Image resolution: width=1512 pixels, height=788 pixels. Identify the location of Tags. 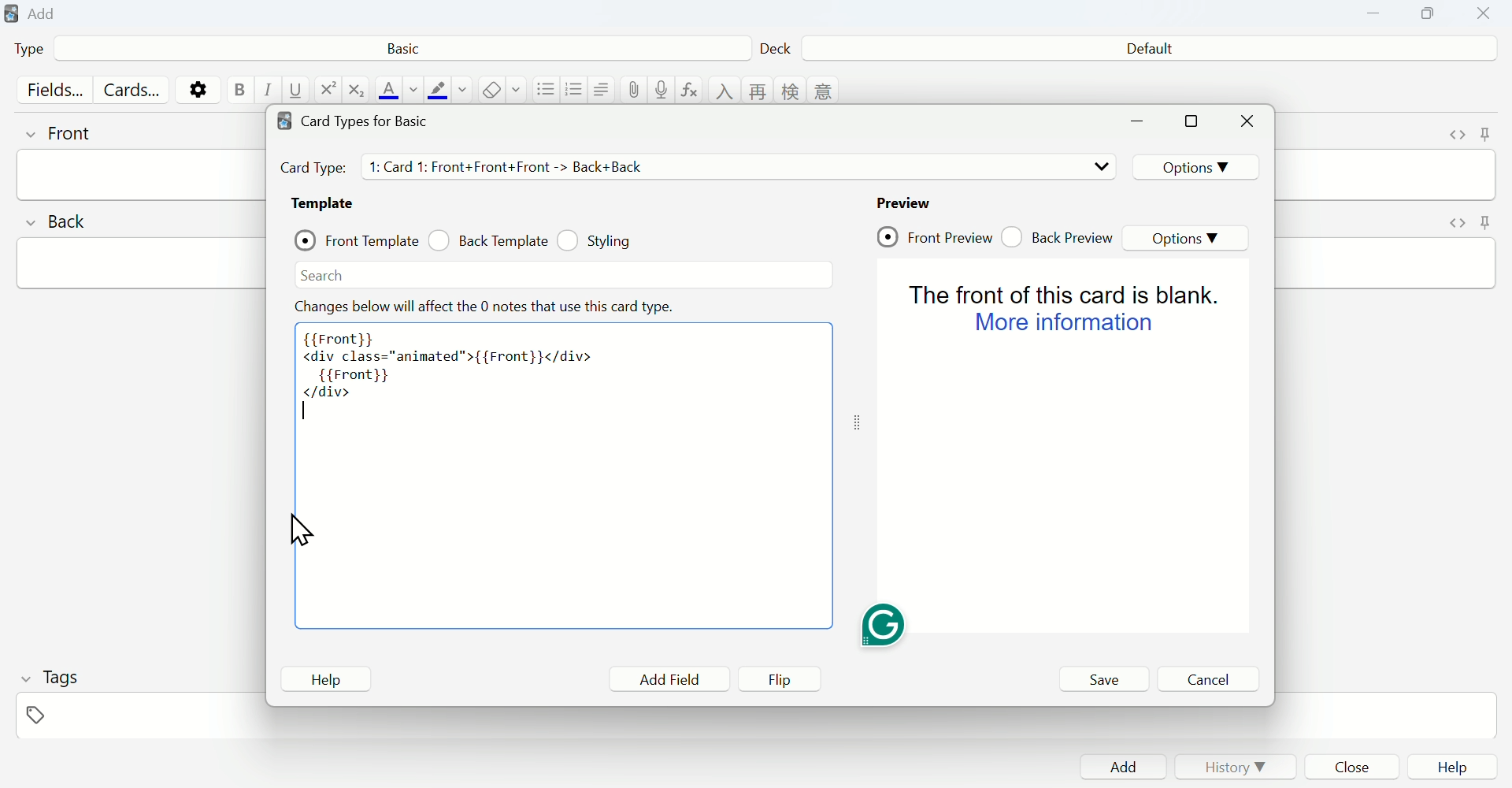
(59, 676).